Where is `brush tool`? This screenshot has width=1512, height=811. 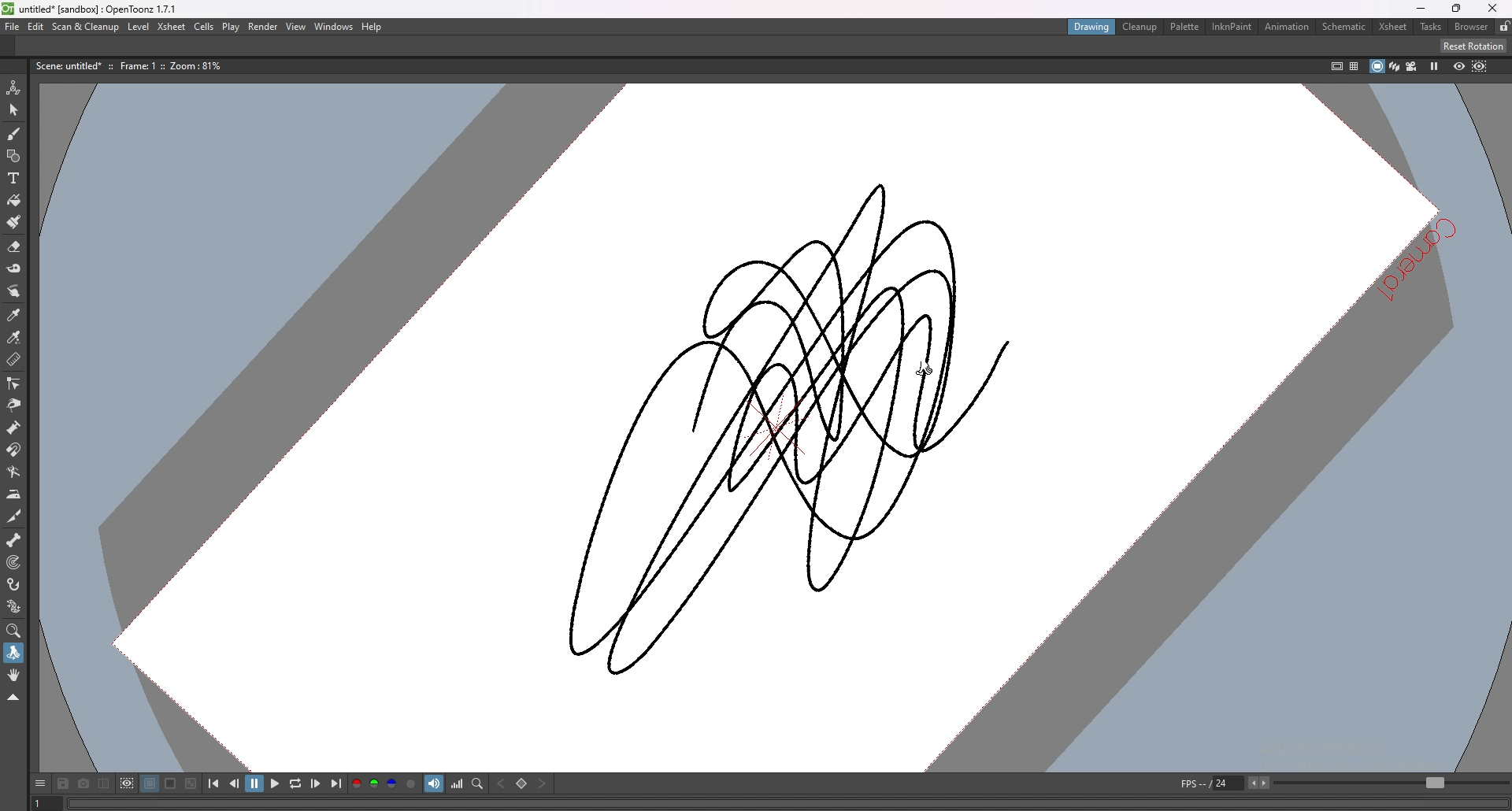
brush tool is located at coordinates (13, 133).